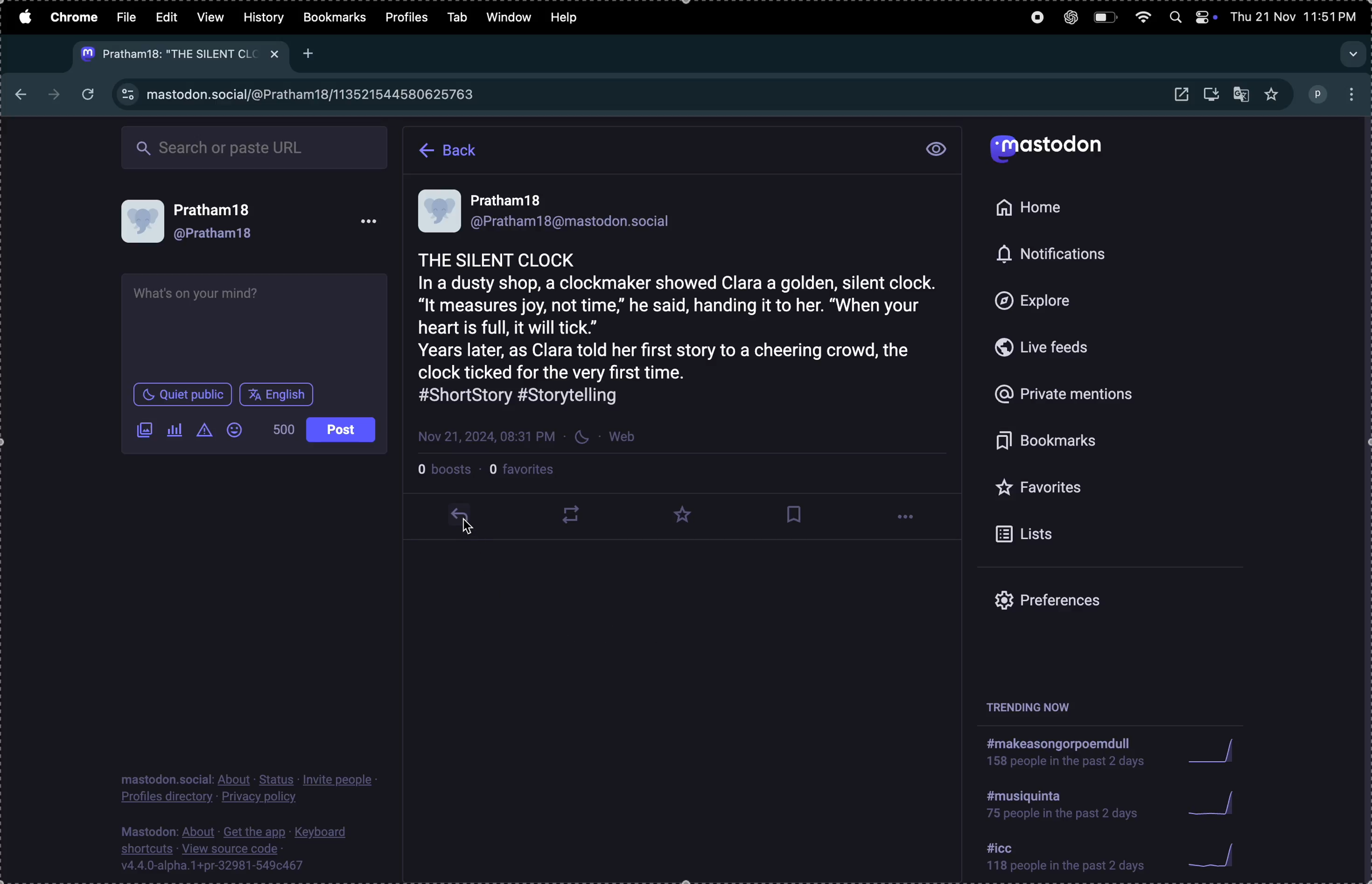 The height and width of the screenshot is (884, 1372). What do you see at coordinates (1054, 301) in the screenshot?
I see `explore` at bounding box center [1054, 301].